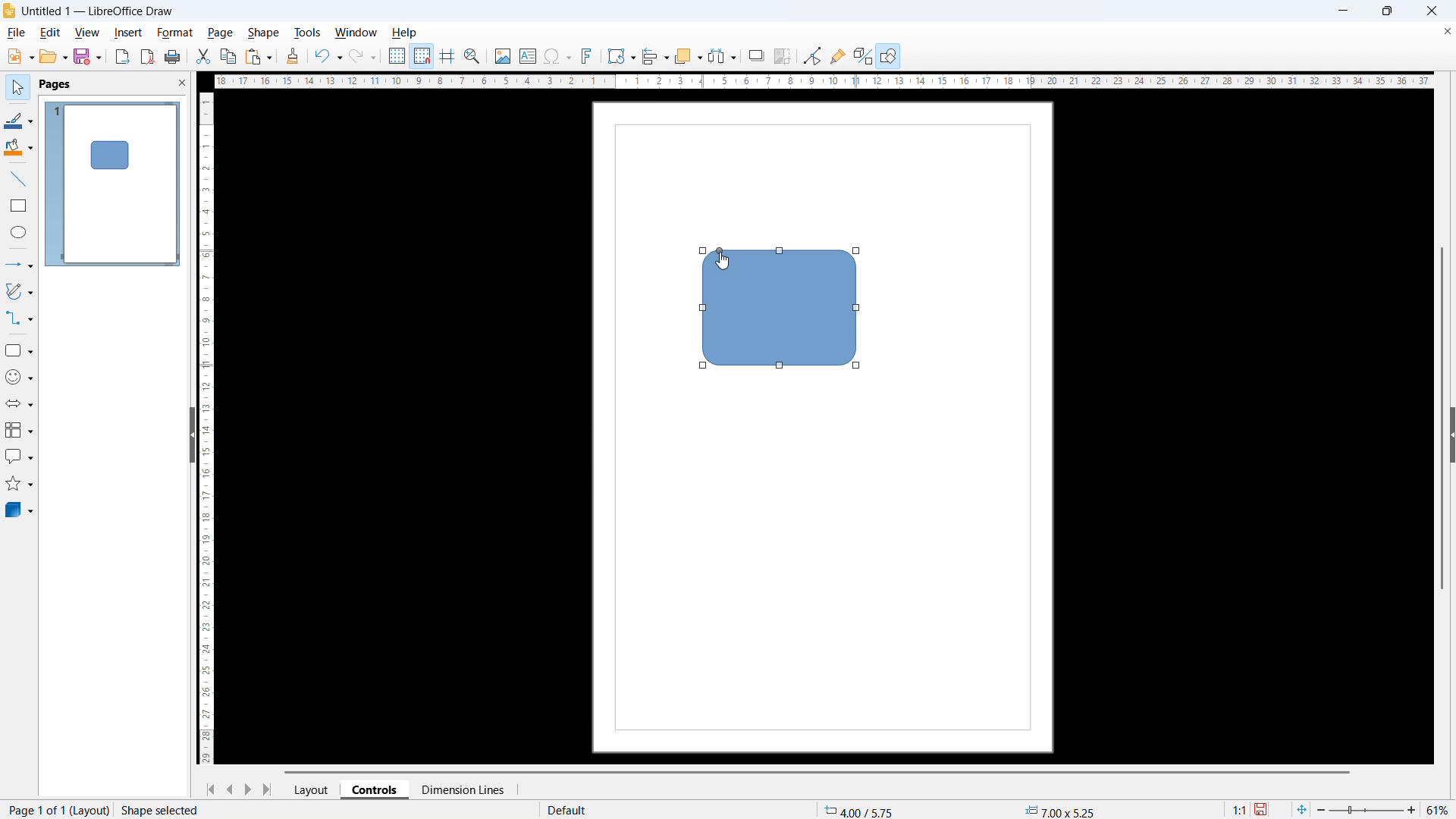  What do you see at coordinates (473, 56) in the screenshot?
I see `Zoom ` at bounding box center [473, 56].